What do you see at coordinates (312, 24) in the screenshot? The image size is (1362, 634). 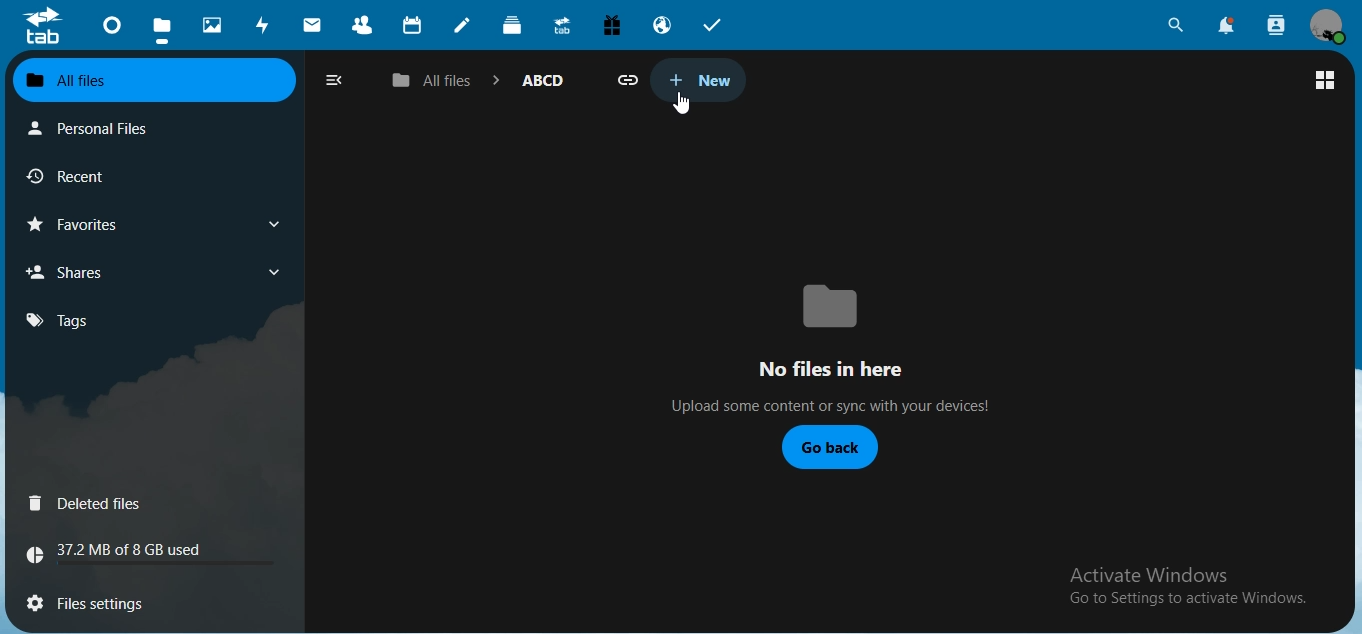 I see `mail` at bounding box center [312, 24].